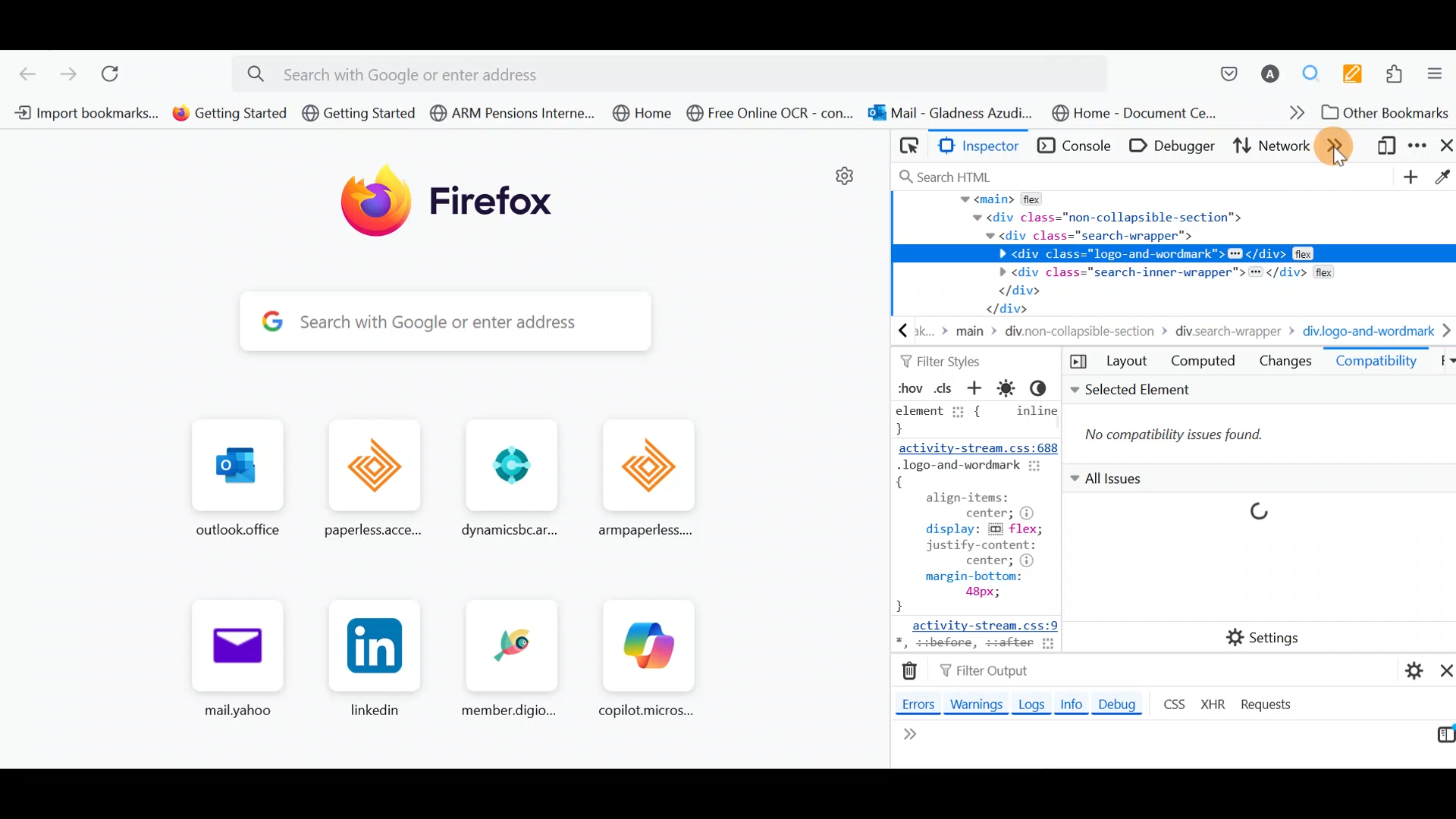 This screenshot has height=819, width=1456. What do you see at coordinates (1131, 112) in the screenshot?
I see `Bookmark 8` at bounding box center [1131, 112].